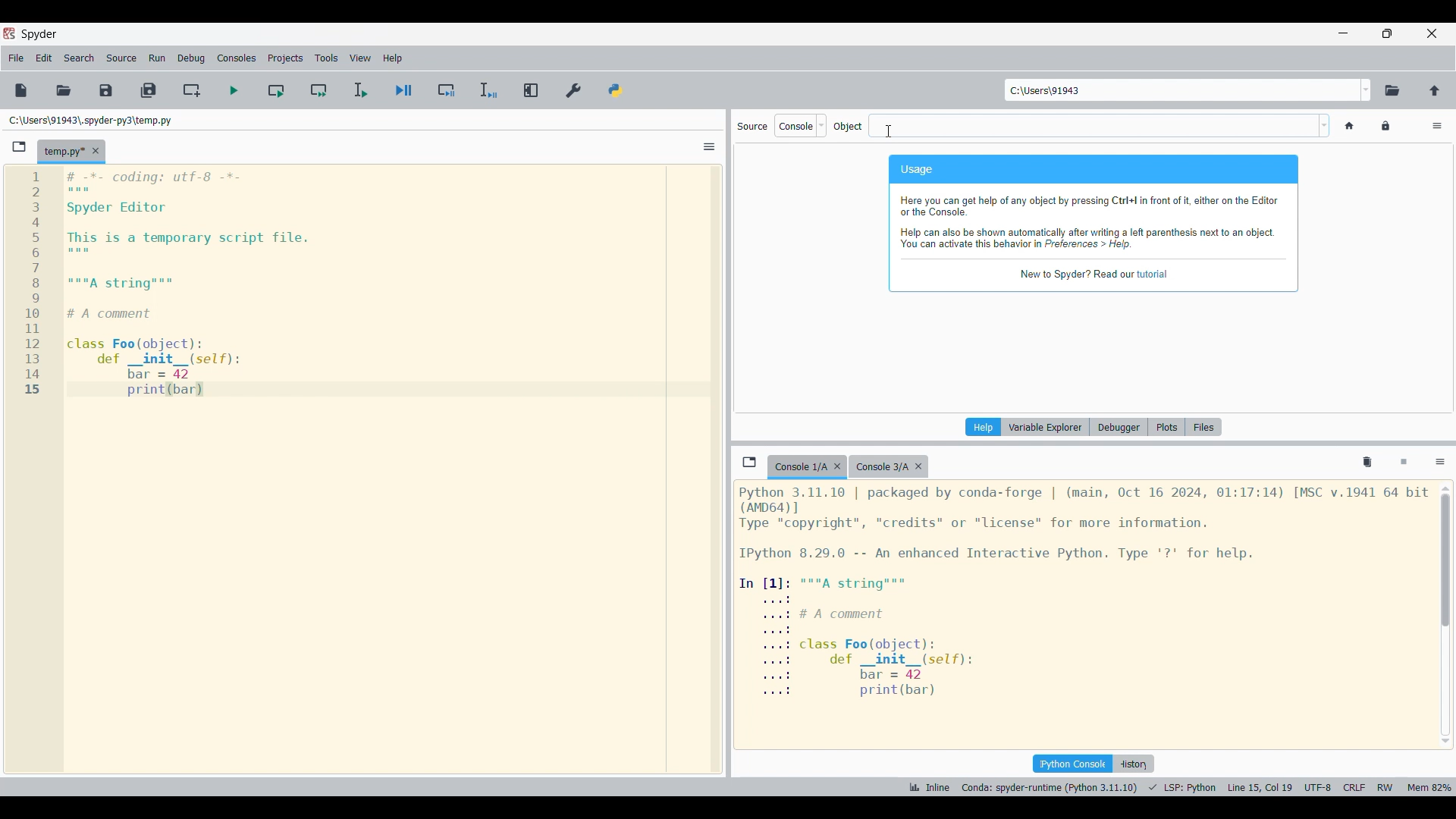 This screenshot has height=819, width=1456. I want to click on UTF 8, so click(1318, 786).